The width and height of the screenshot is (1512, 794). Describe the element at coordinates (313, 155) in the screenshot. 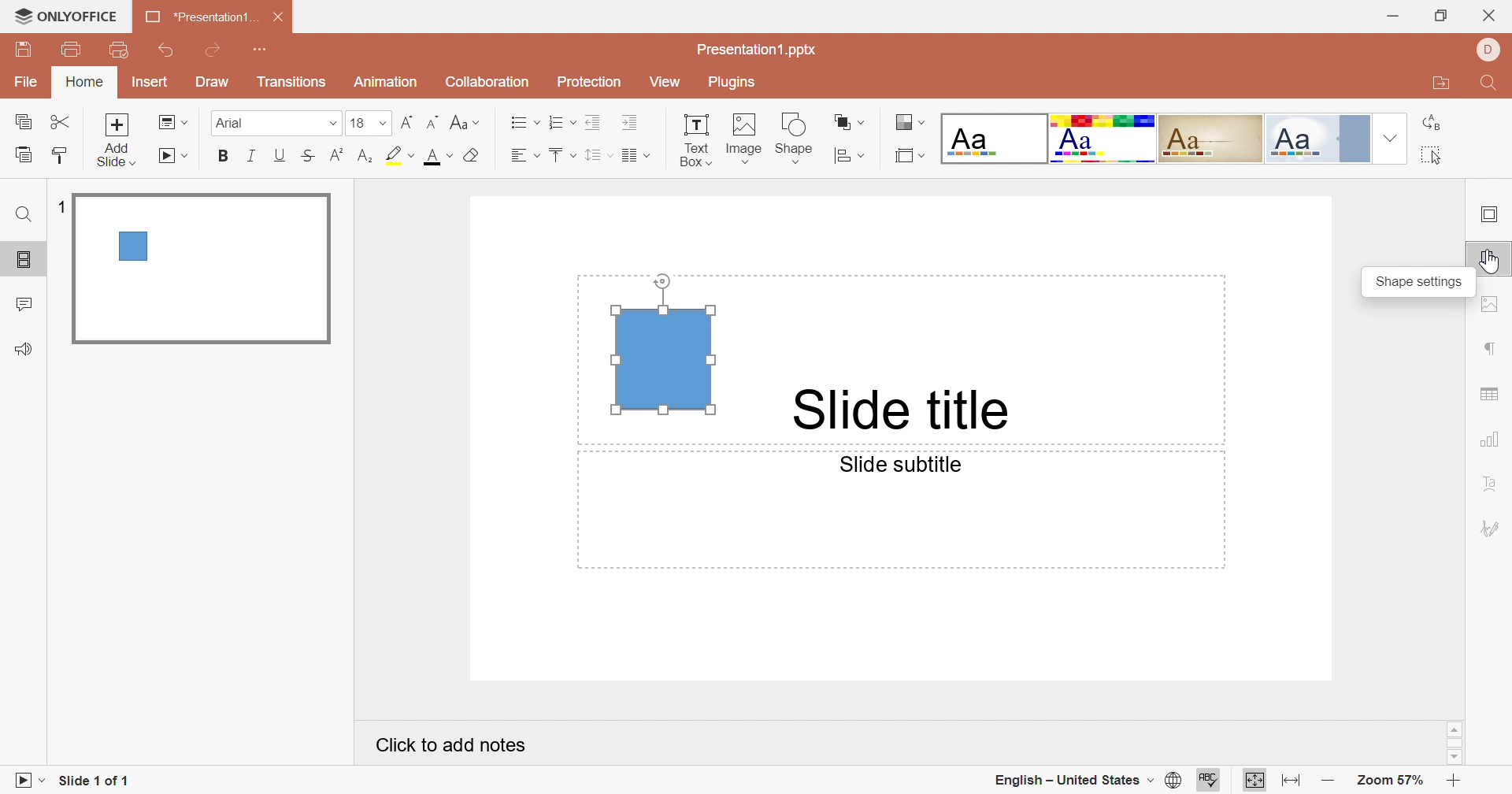

I see `Strikethrough` at that location.